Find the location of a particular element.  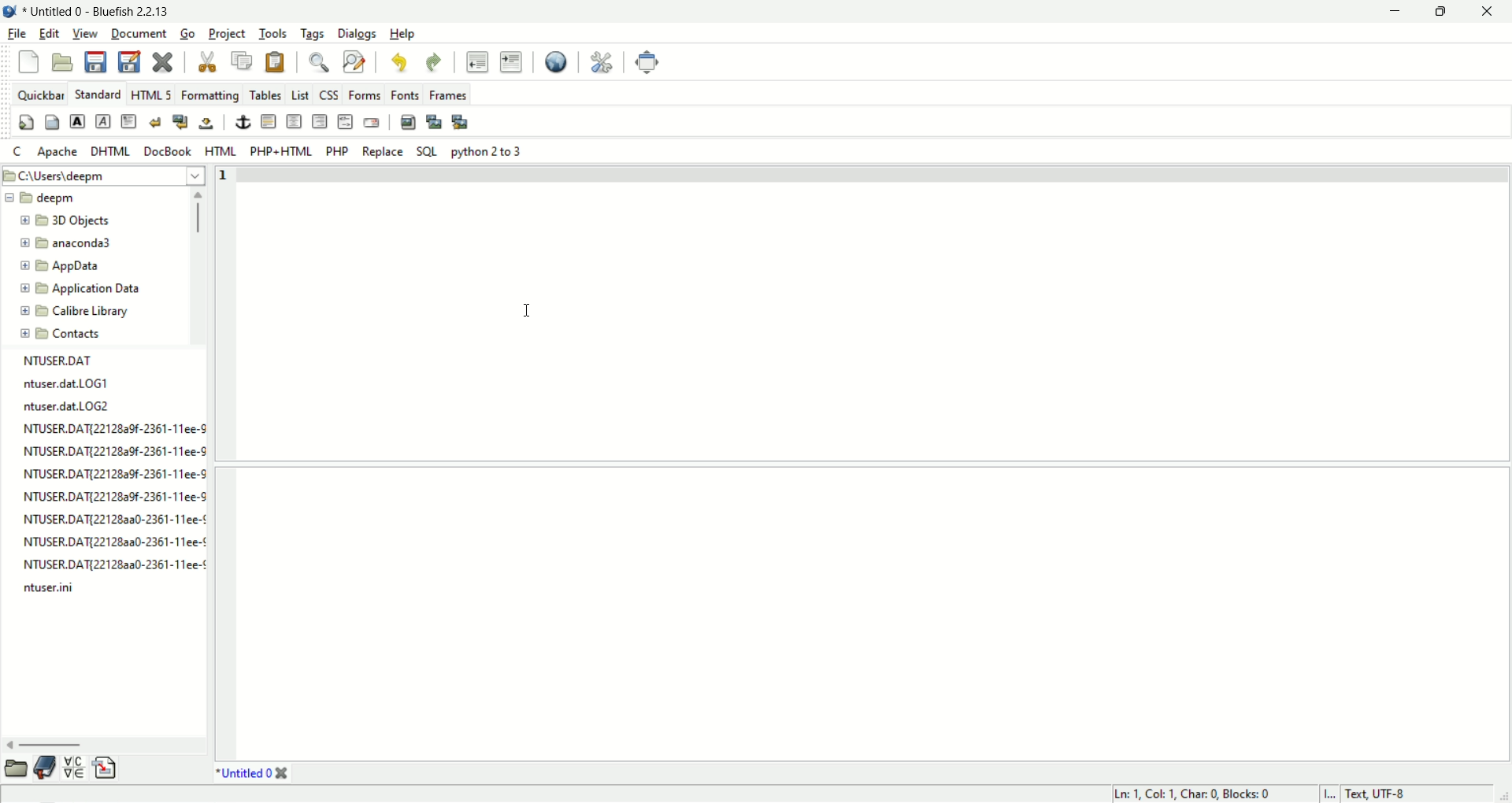

css is located at coordinates (328, 96).